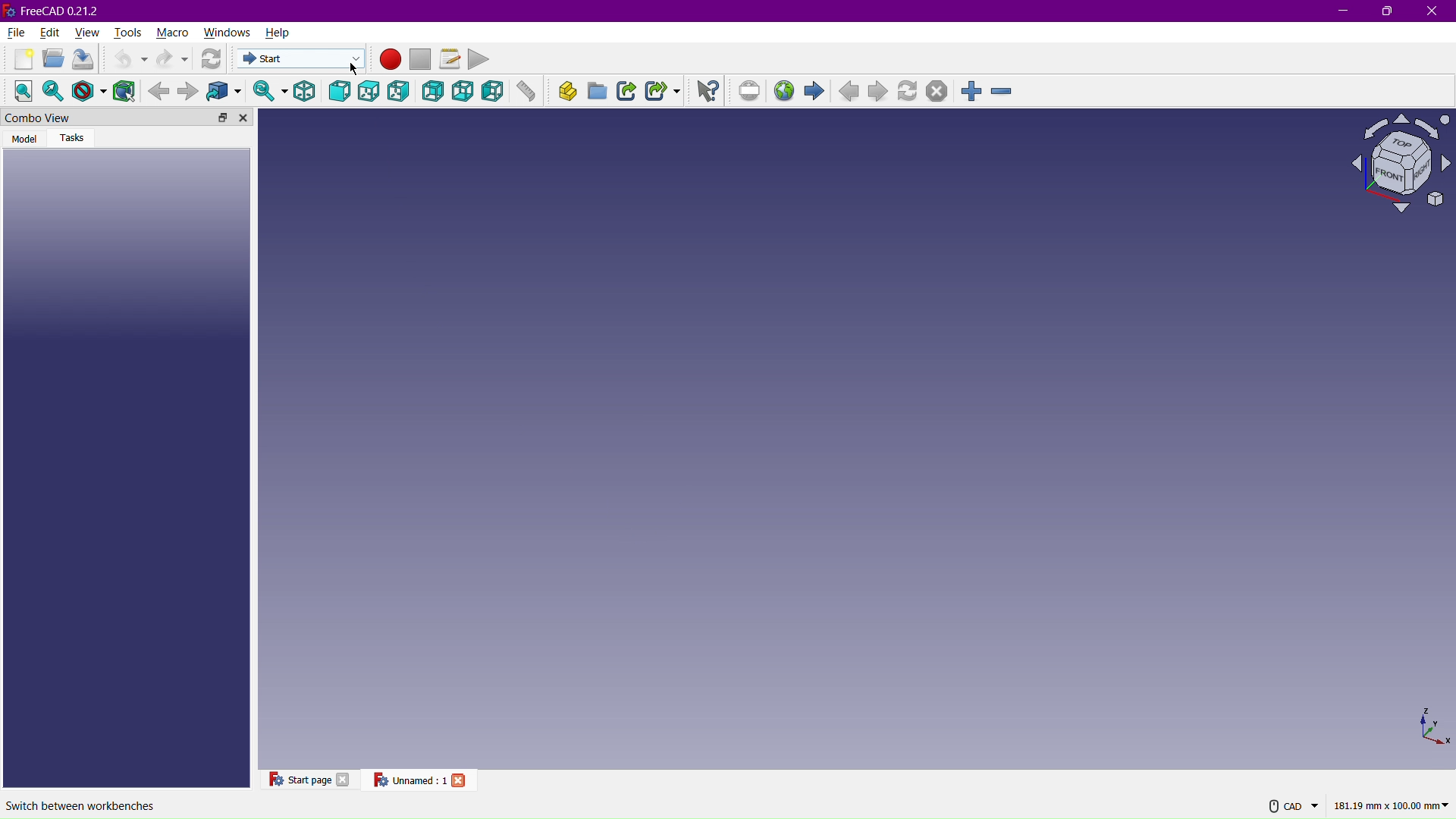 This screenshot has width=1456, height=819. I want to click on Start, so click(304, 58).